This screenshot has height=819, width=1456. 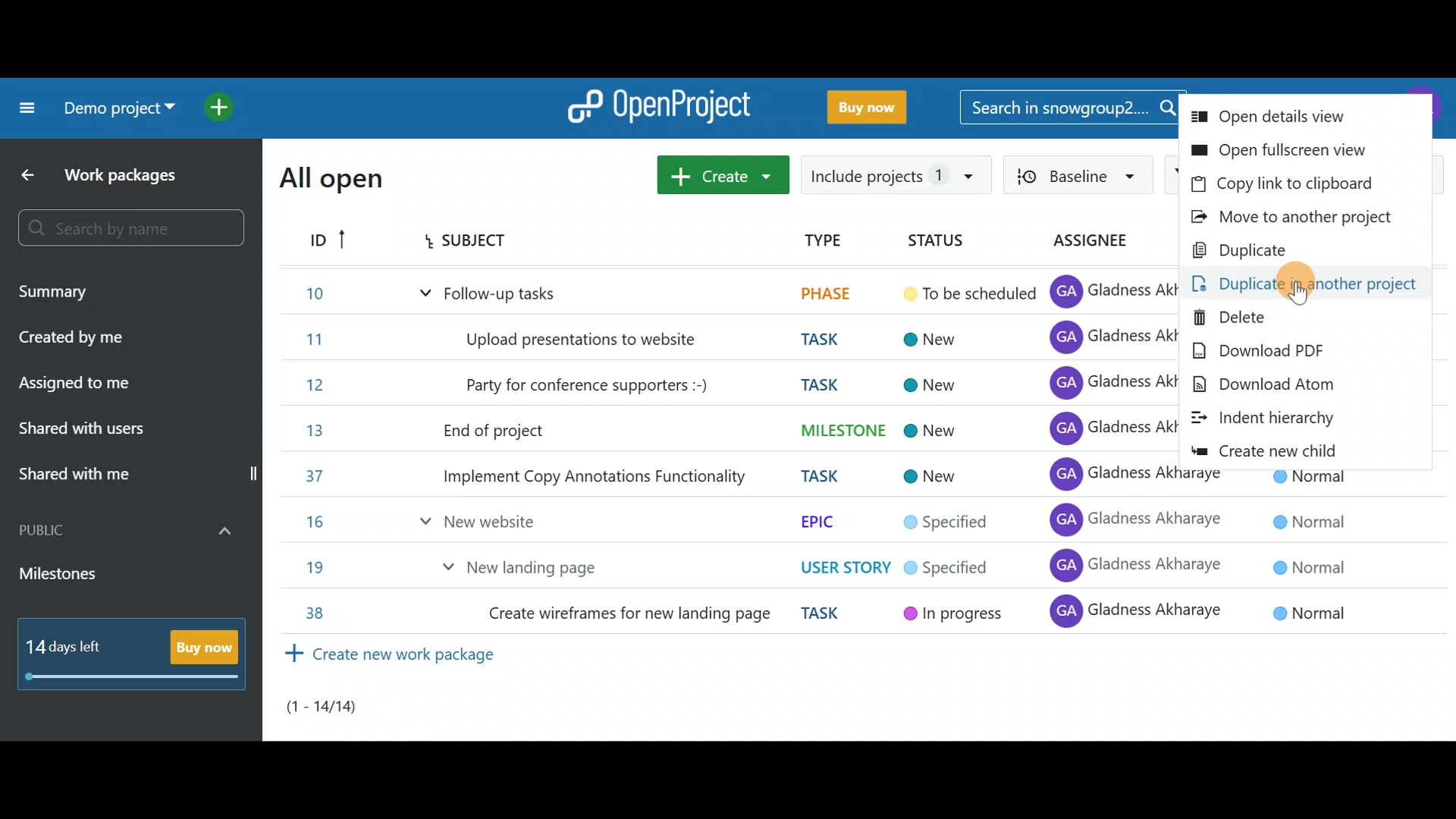 What do you see at coordinates (308, 569) in the screenshot?
I see `19` at bounding box center [308, 569].